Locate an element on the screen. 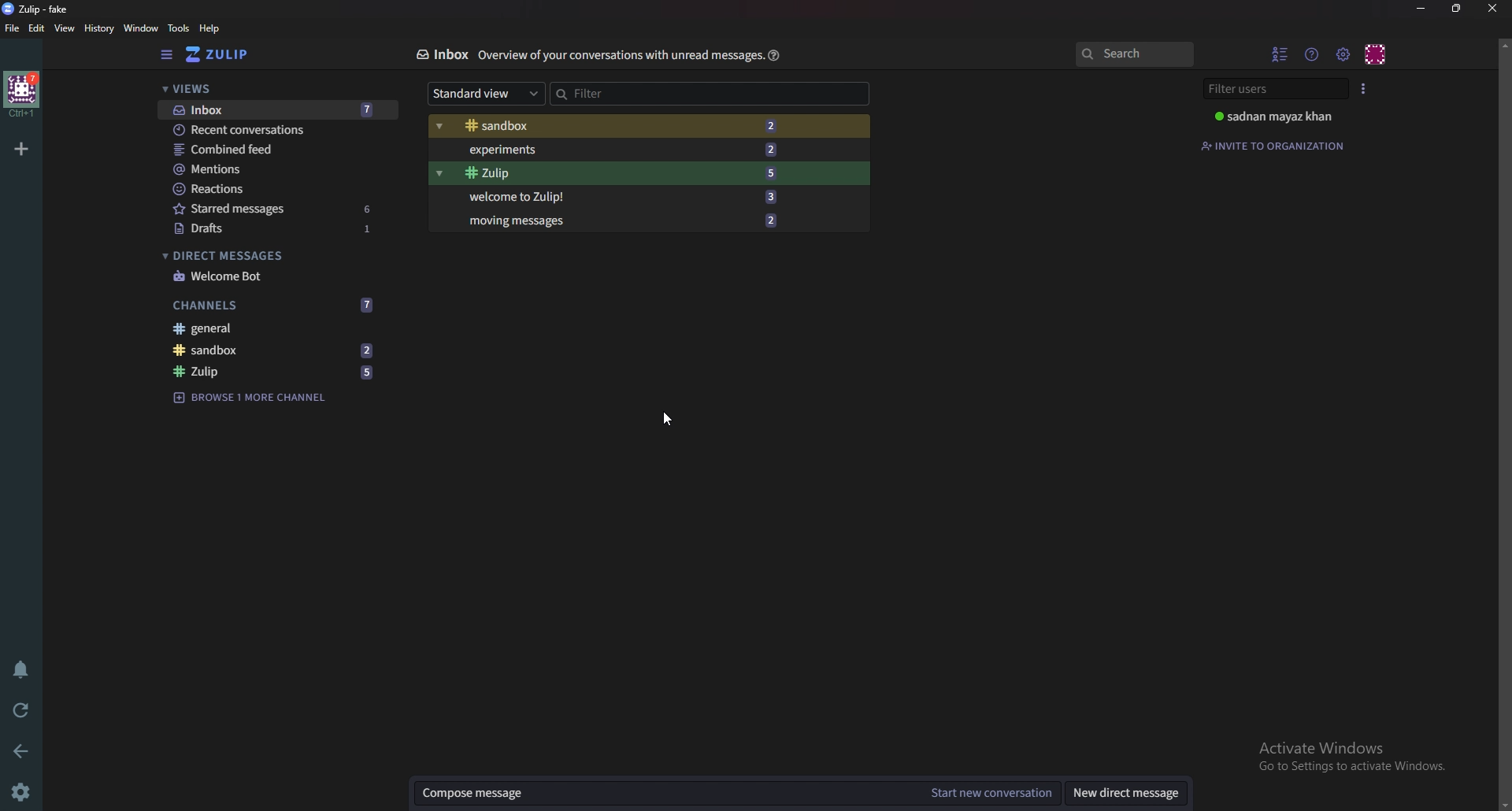  Hide user list is located at coordinates (1280, 52).